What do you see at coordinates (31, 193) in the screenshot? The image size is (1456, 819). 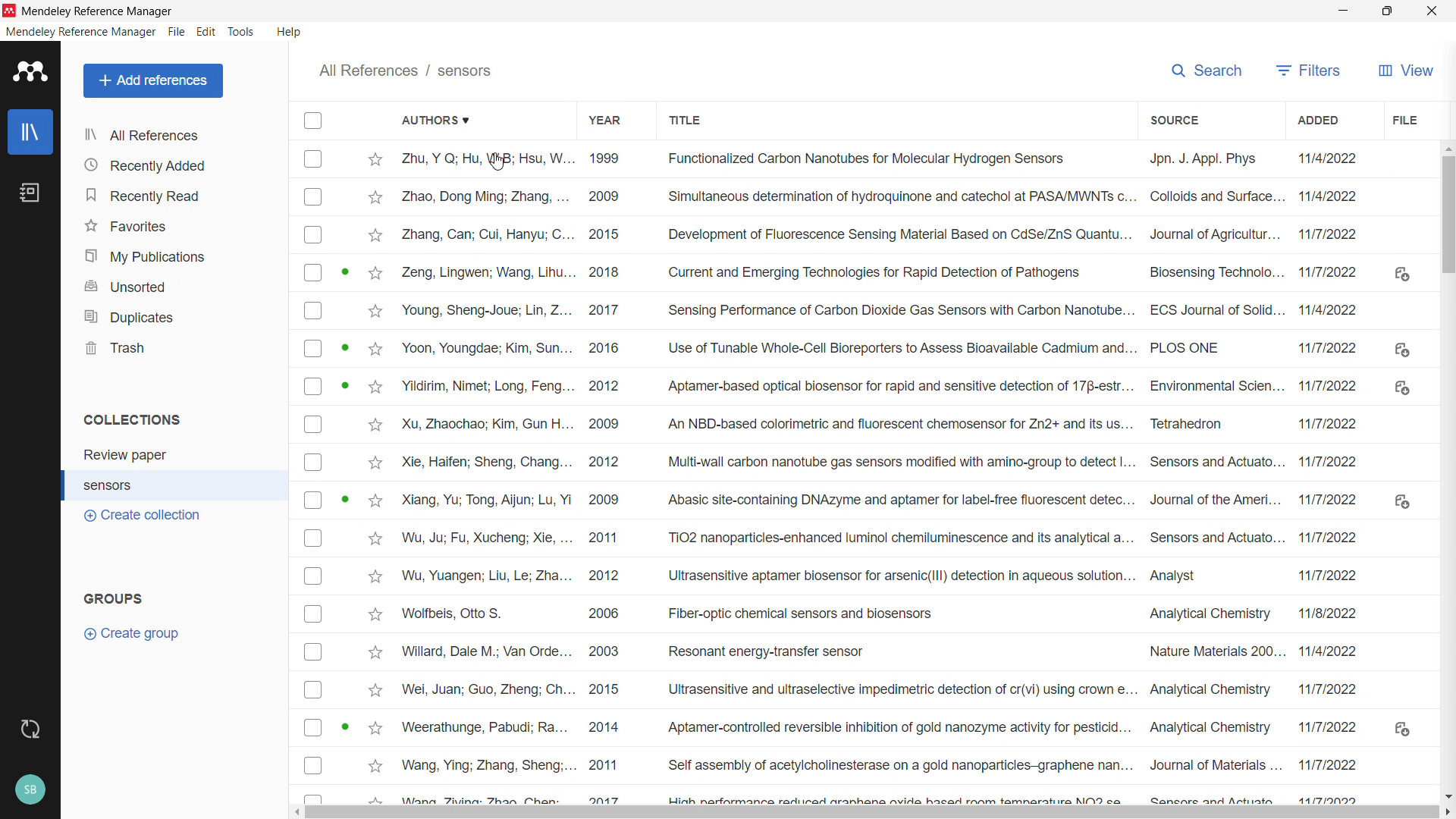 I see `Notebook ` at bounding box center [31, 193].